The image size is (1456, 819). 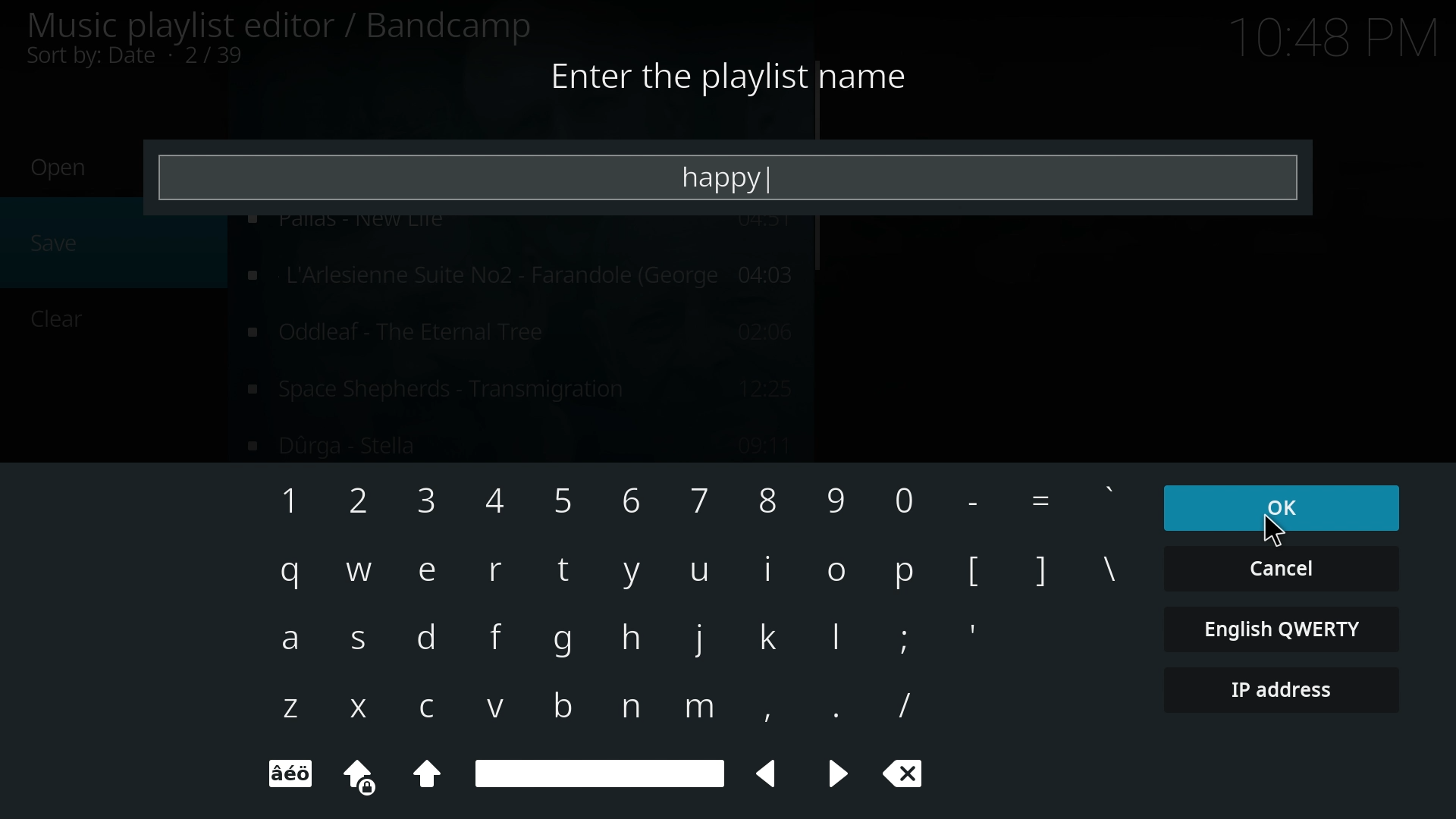 I want to click on ok, so click(x=1285, y=498).